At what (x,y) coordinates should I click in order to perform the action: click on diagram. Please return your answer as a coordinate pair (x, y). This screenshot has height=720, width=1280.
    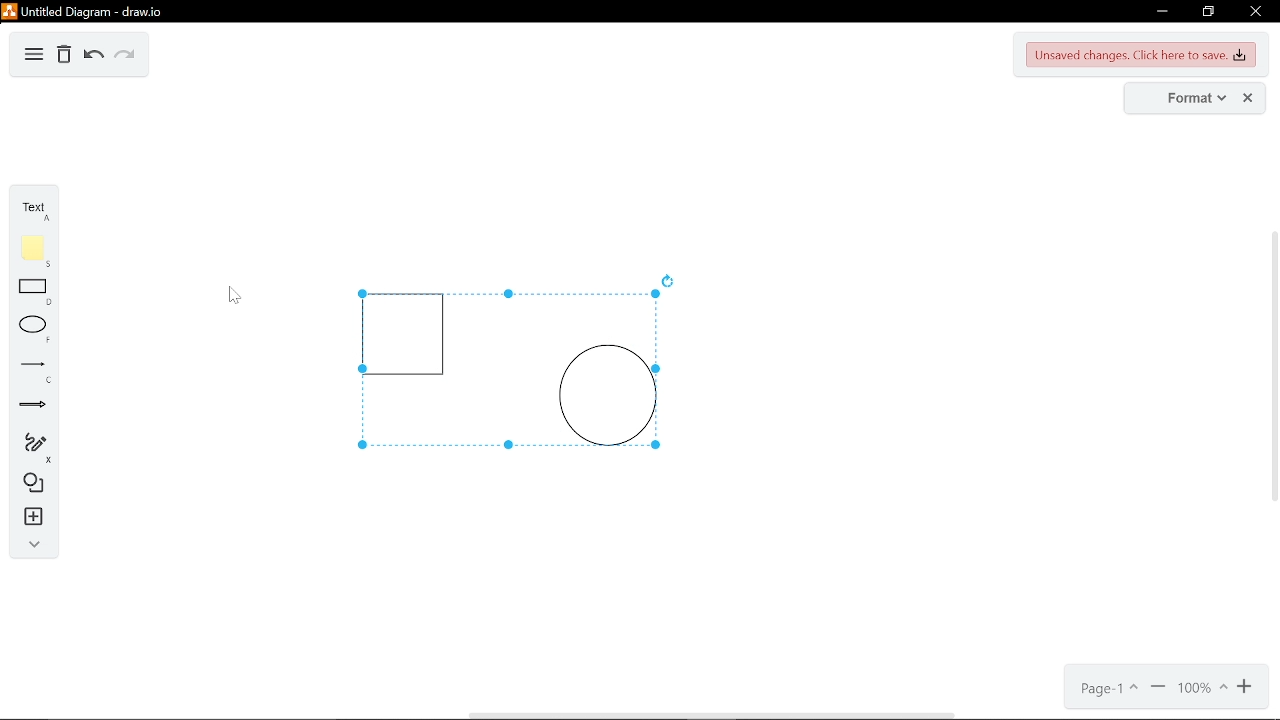
    Looking at the image, I should click on (34, 56).